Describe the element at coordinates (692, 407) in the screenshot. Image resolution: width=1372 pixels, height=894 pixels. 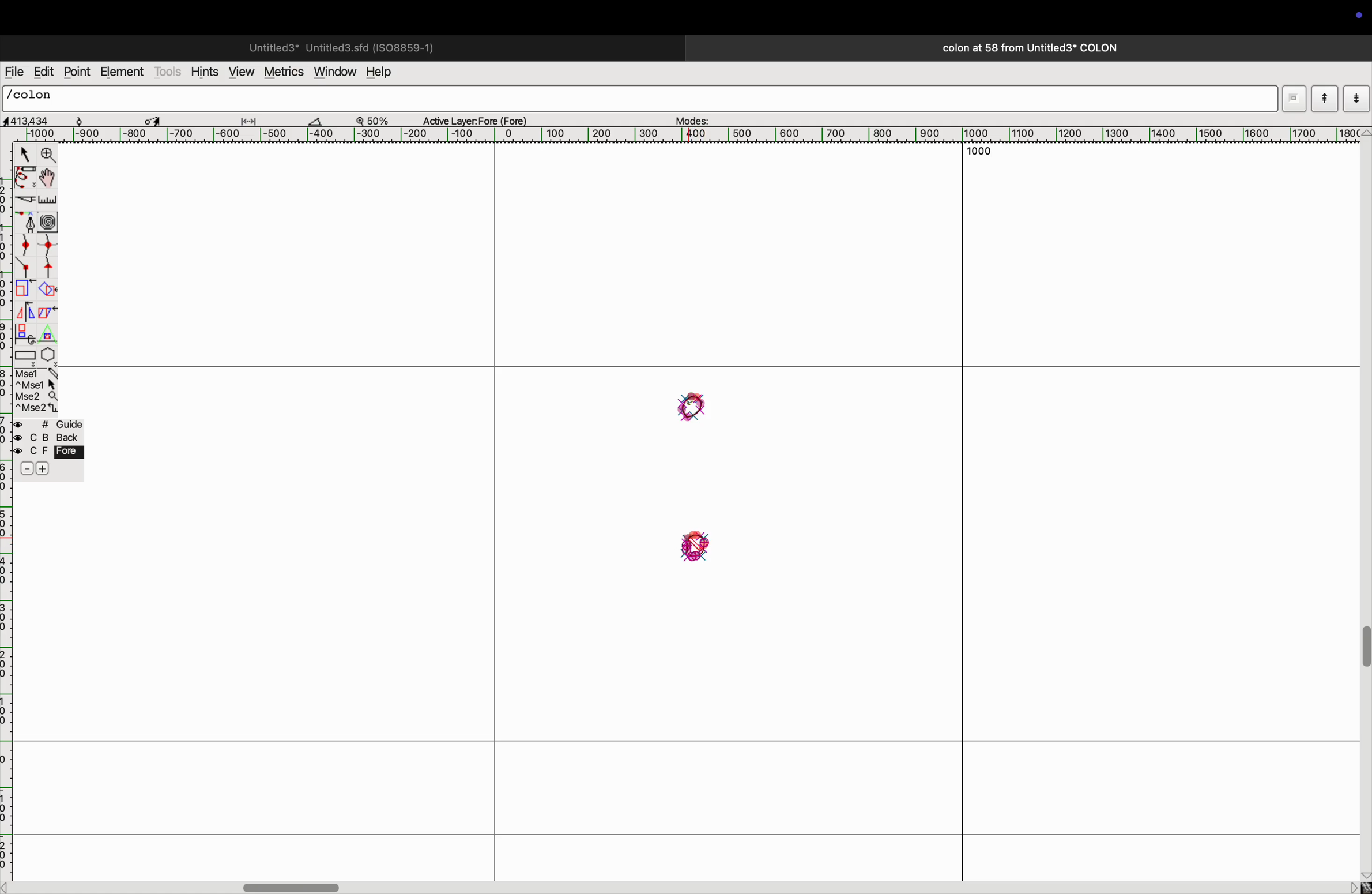
I see `circle` at that location.